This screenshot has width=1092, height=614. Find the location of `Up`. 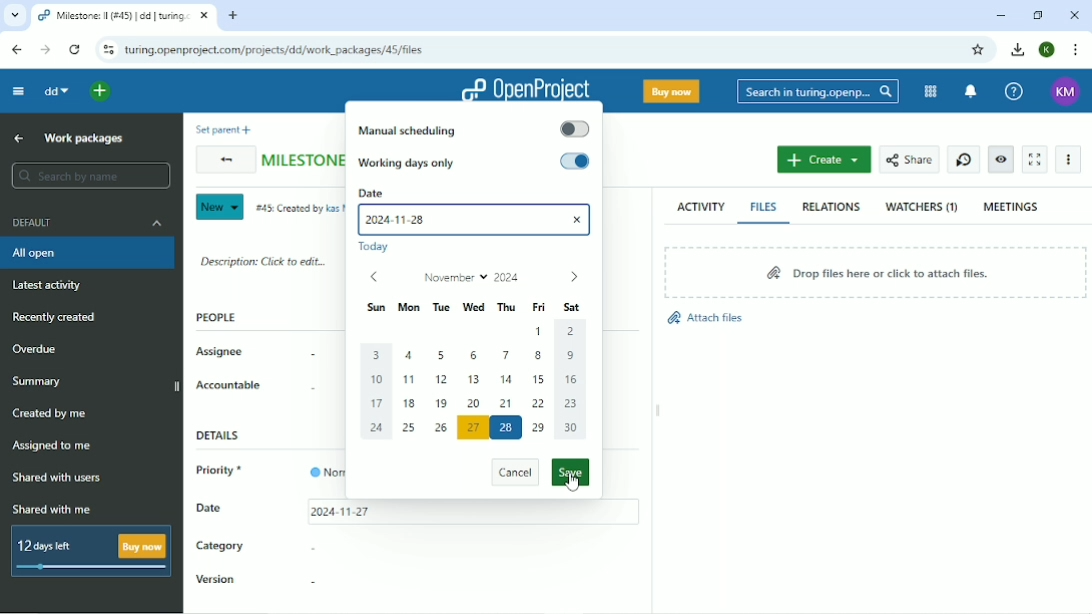

Up is located at coordinates (20, 138).